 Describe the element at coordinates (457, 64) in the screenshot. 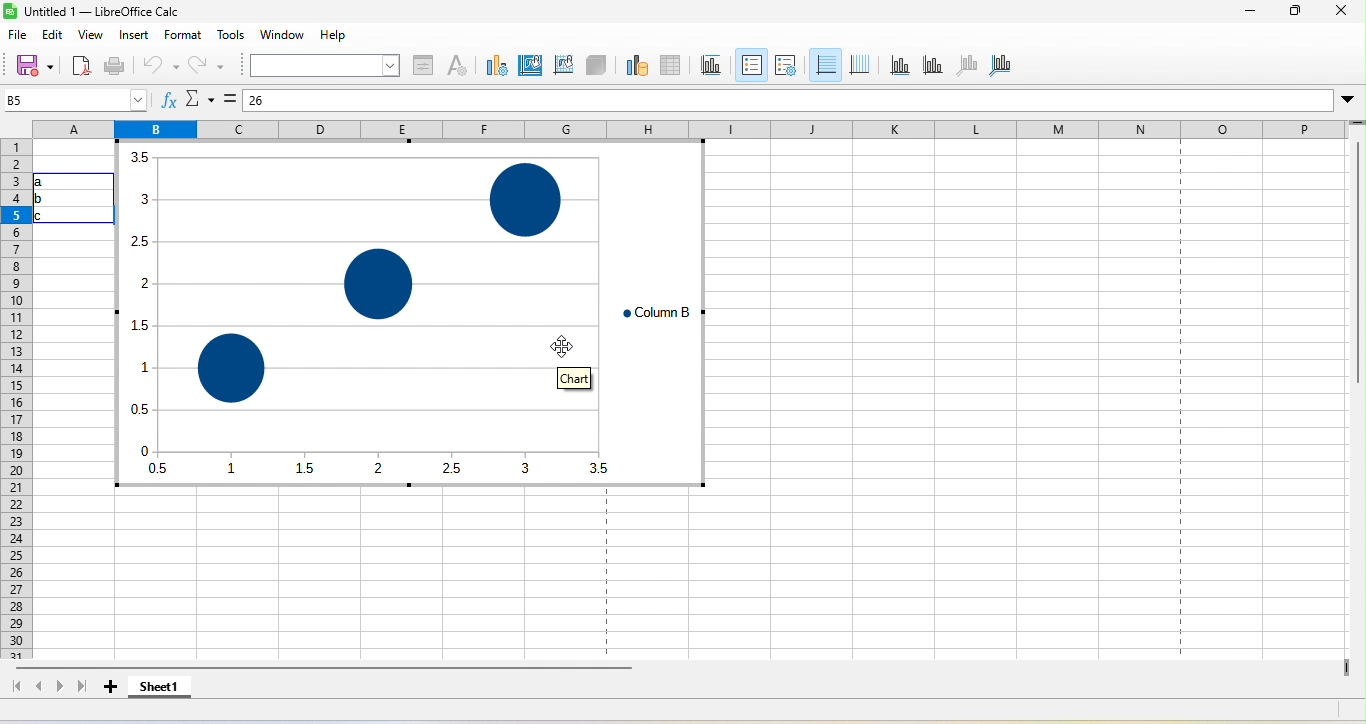

I see `characters` at that location.